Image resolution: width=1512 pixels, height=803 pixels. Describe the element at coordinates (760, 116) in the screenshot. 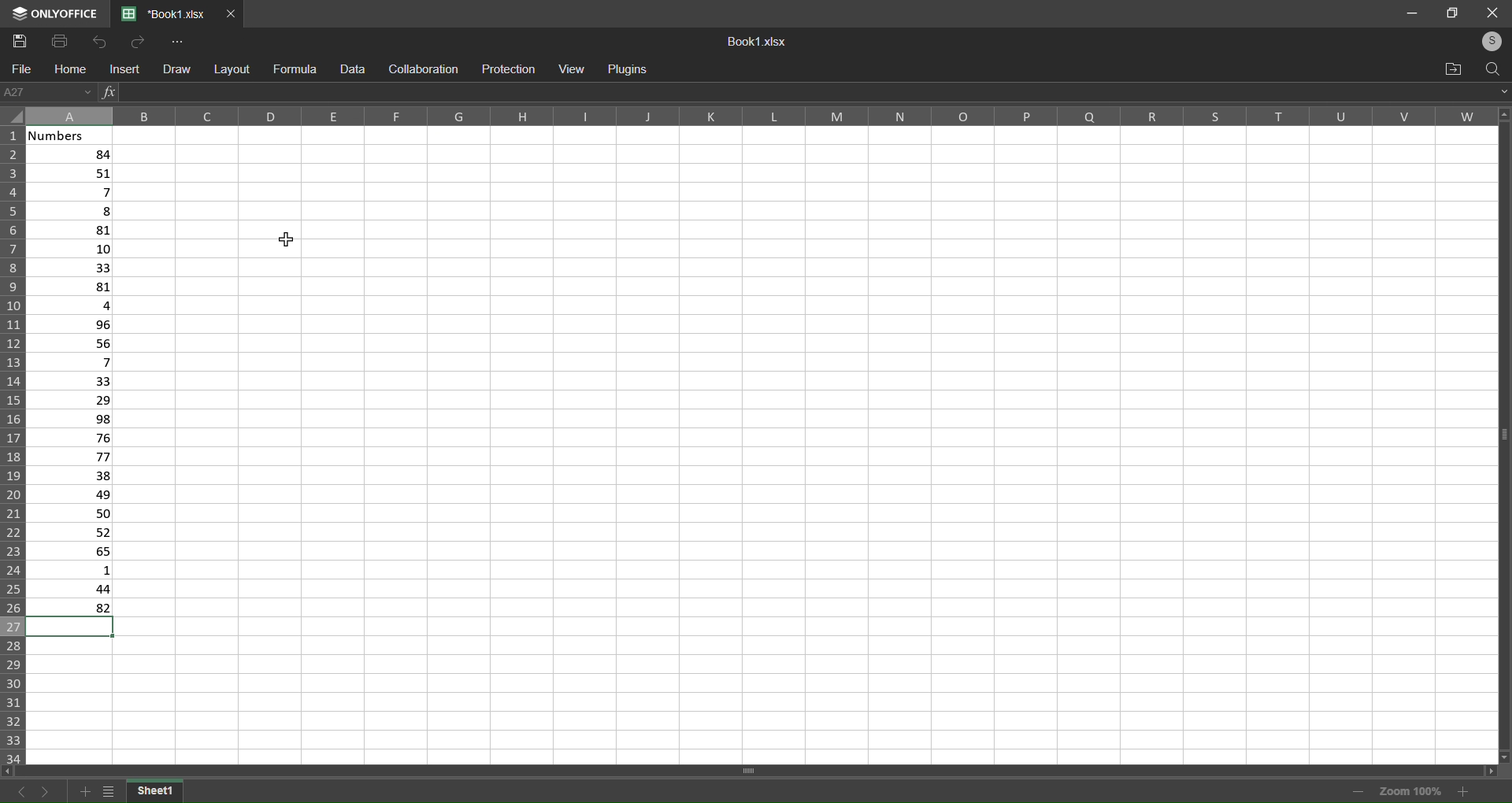

I see `Column label` at that location.